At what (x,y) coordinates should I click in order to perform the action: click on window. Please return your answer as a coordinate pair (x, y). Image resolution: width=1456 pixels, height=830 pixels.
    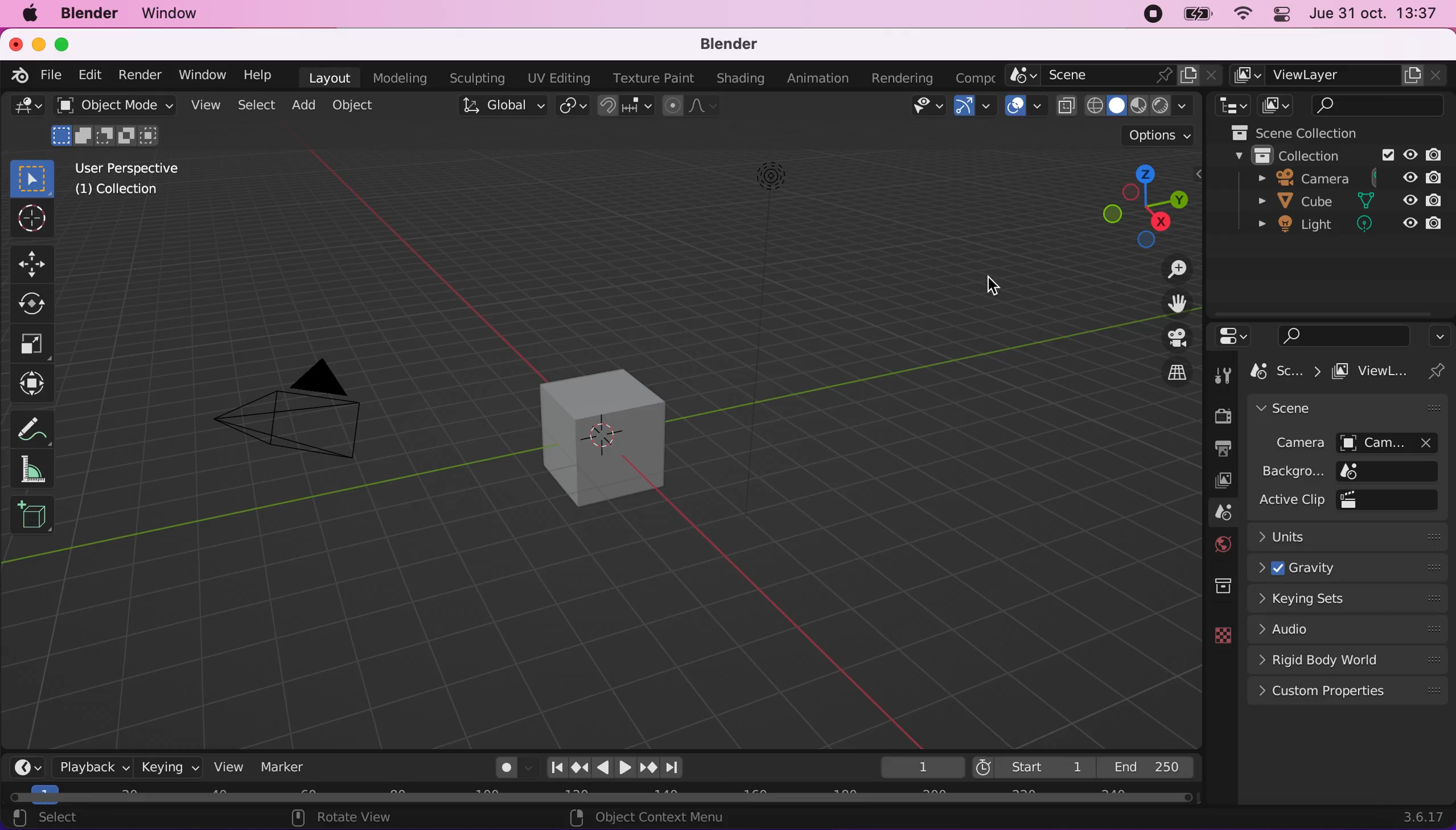
    Looking at the image, I should click on (201, 73).